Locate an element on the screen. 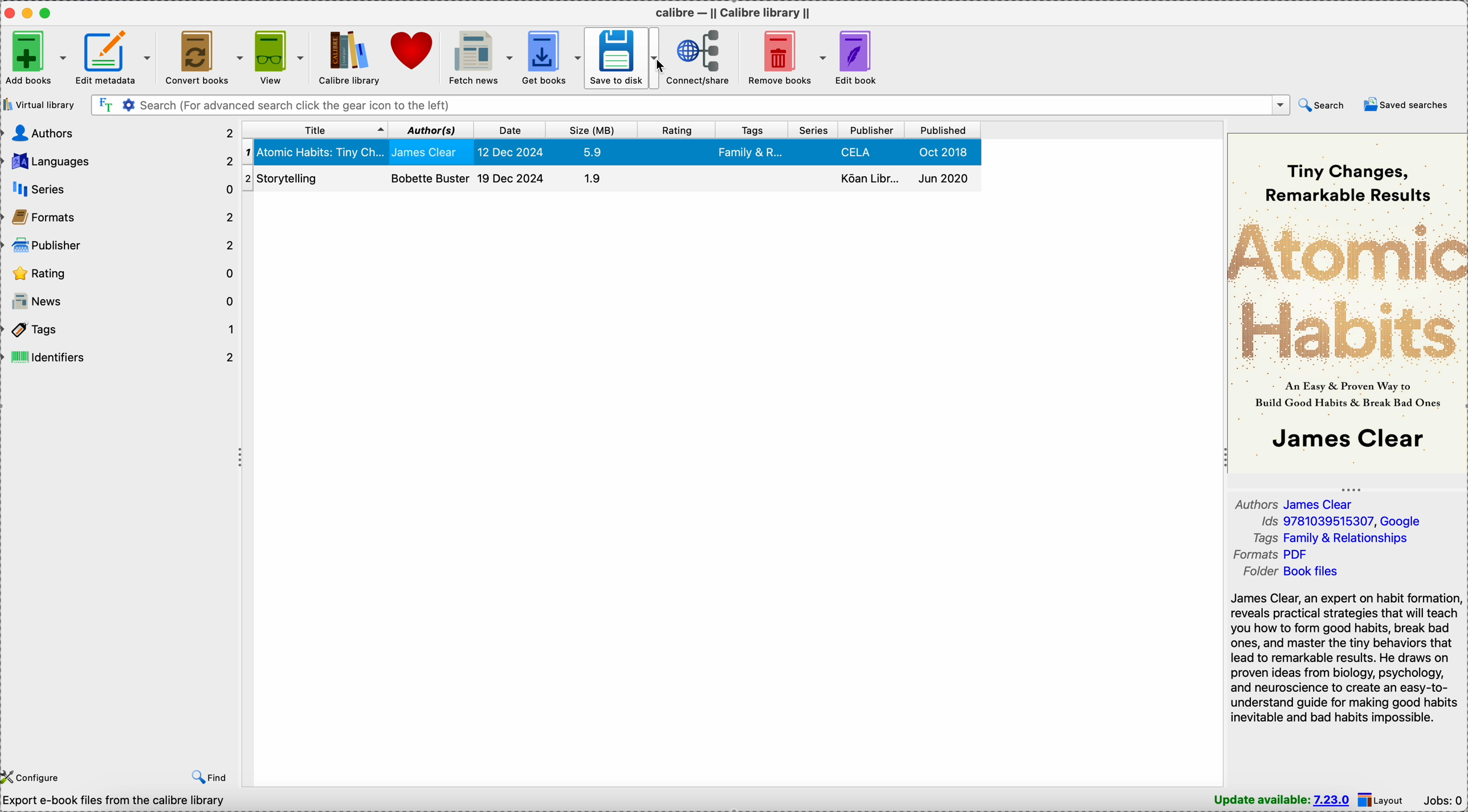  convert books is located at coordinates (203, 57).